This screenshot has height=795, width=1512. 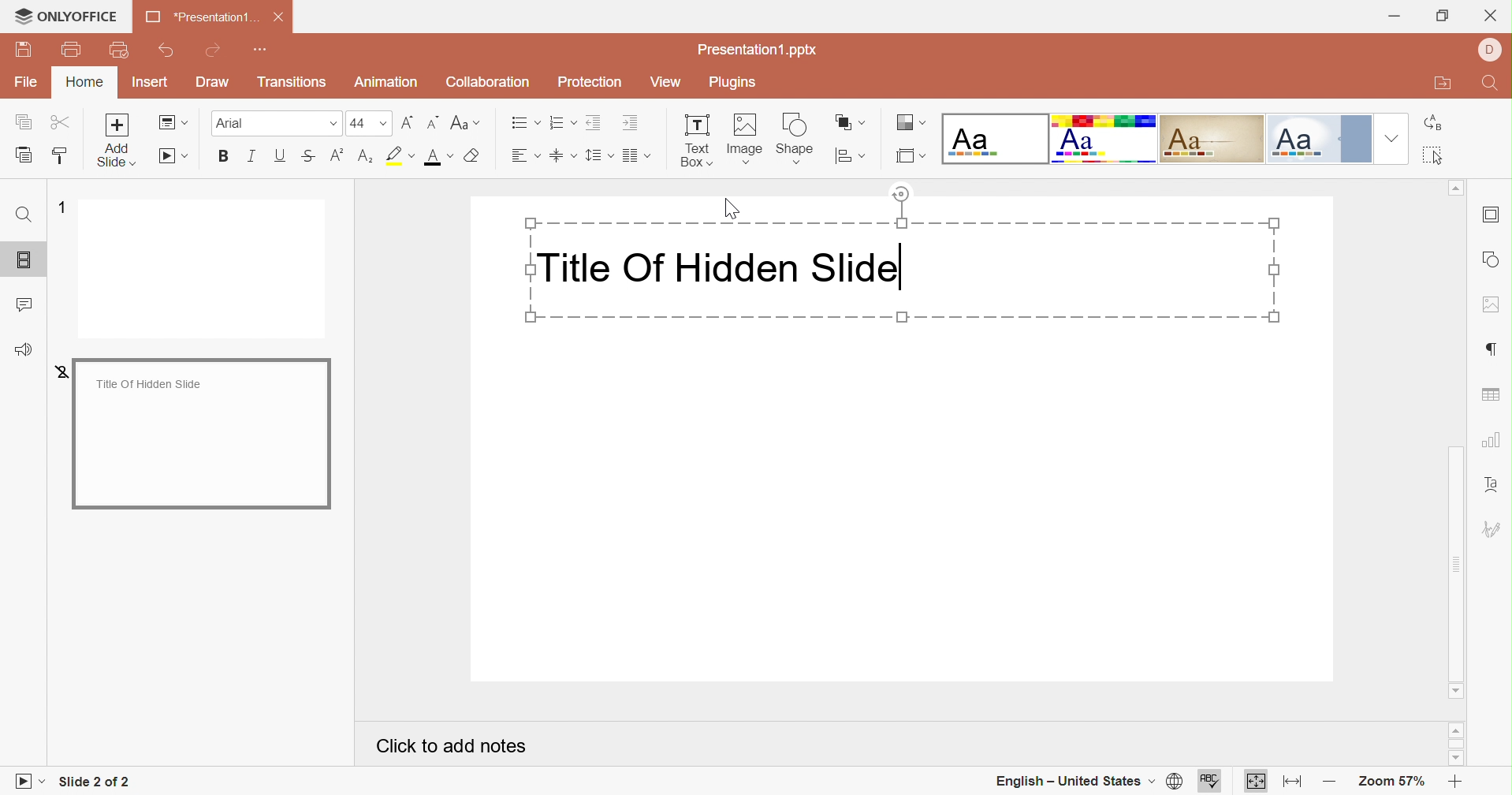 I want to click on Scroll up, so click(x=1456, y=730).